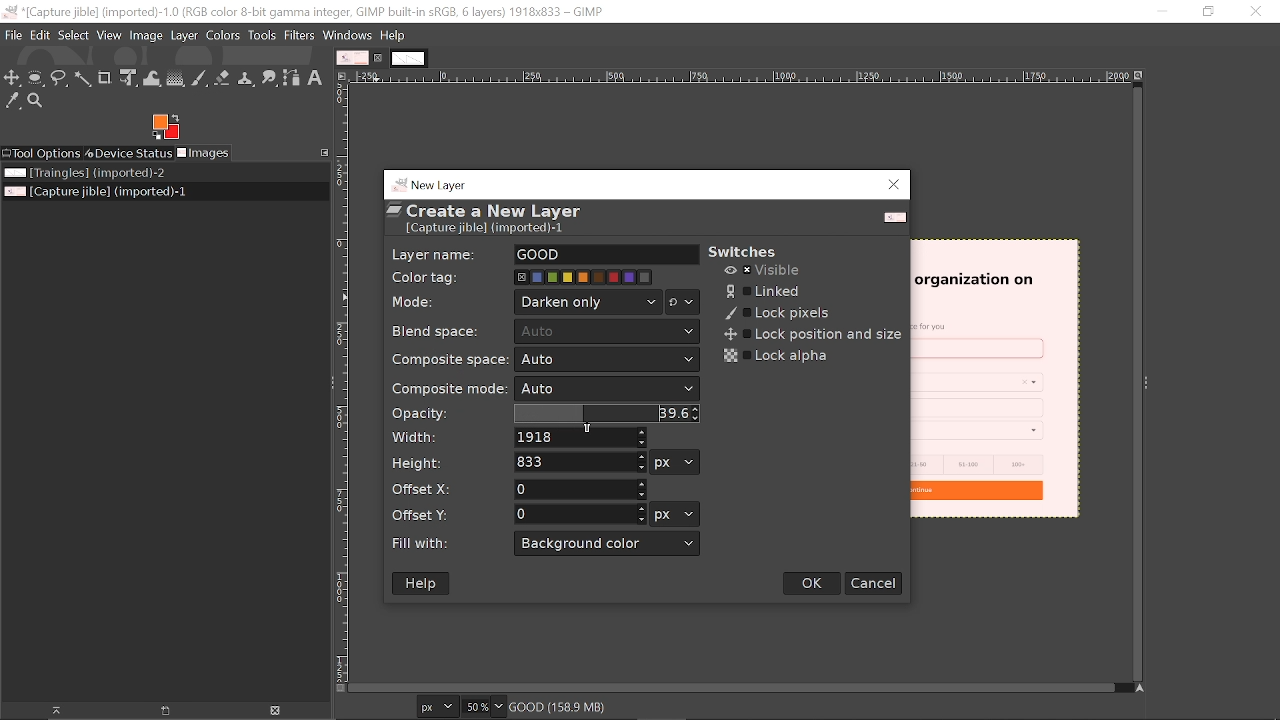  Describe the element at coordinates (498, 220) in the screenshot. I see `“ Create a New Layer` at that location.